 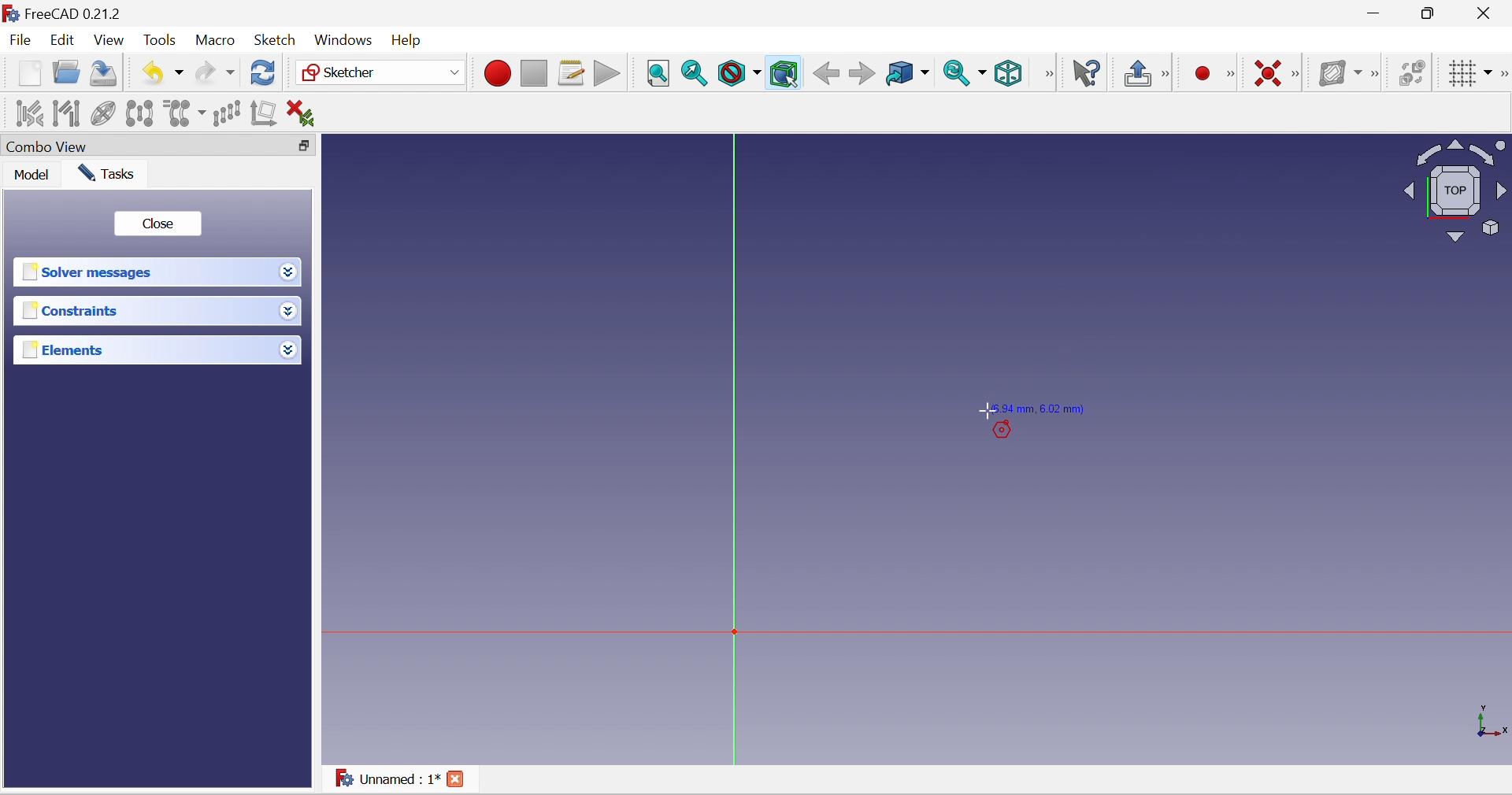 What do you see at coordinates (61, 39) in the screenshot?
I see `Edit` at bounding box center [61, 39].